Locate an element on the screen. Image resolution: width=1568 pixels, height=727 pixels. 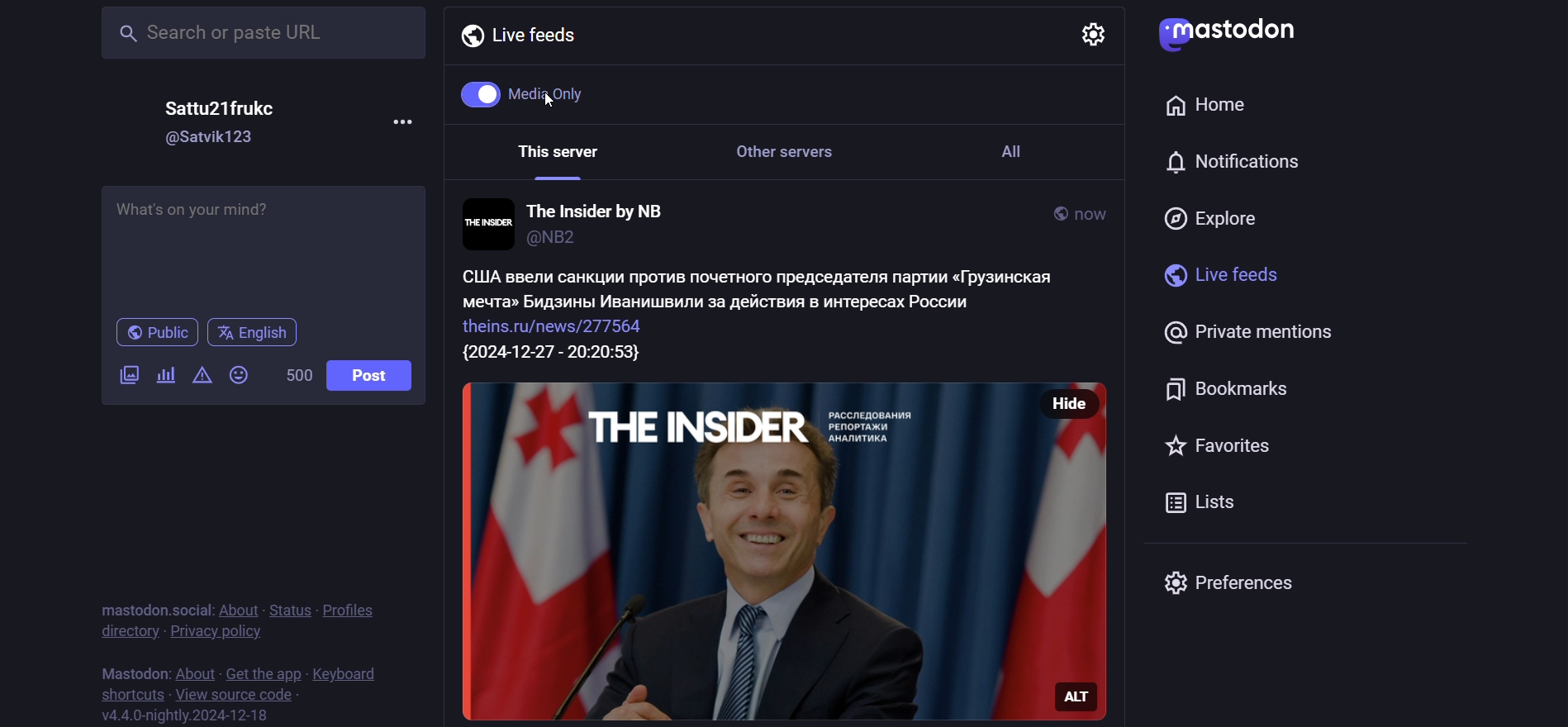
image/video is located at coordinates (126, 375).